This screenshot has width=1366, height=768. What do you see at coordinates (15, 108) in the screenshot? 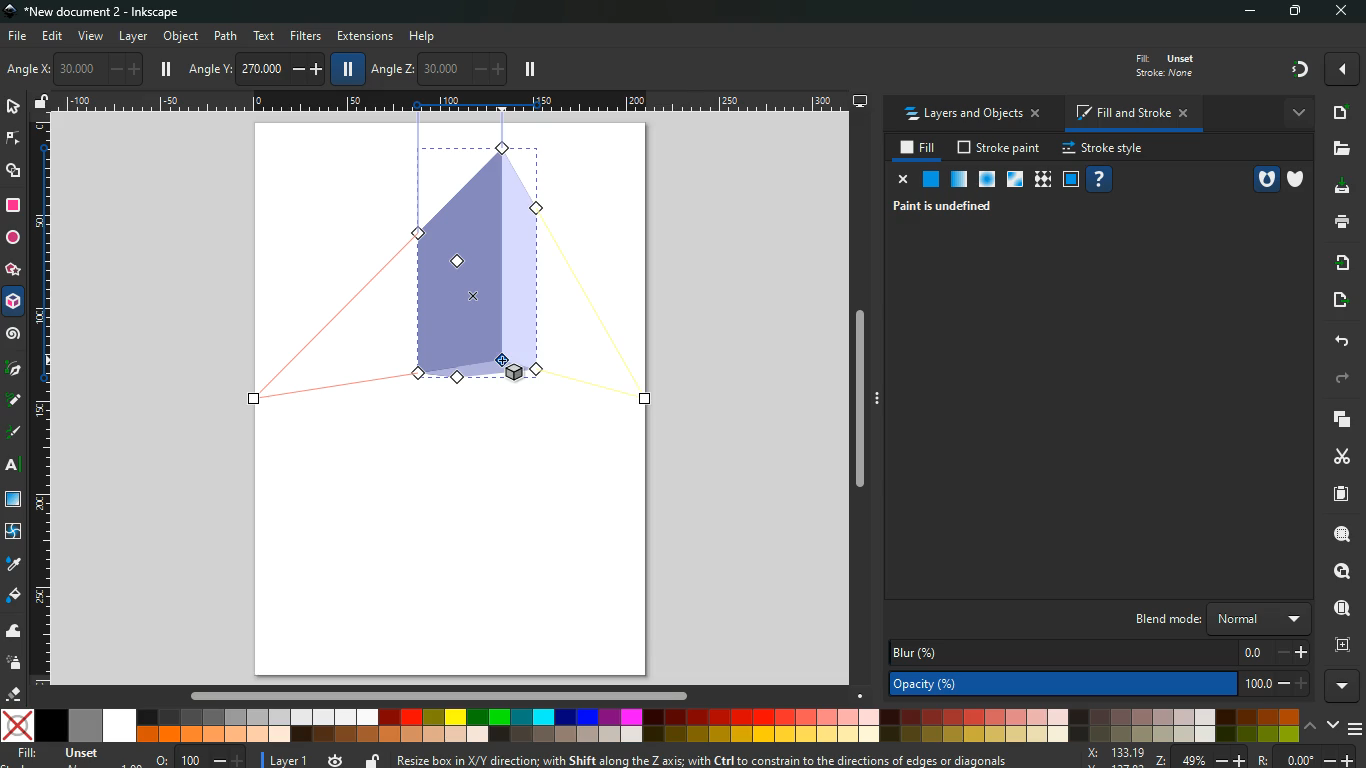
I see `select` at bounding box center [15, 108].